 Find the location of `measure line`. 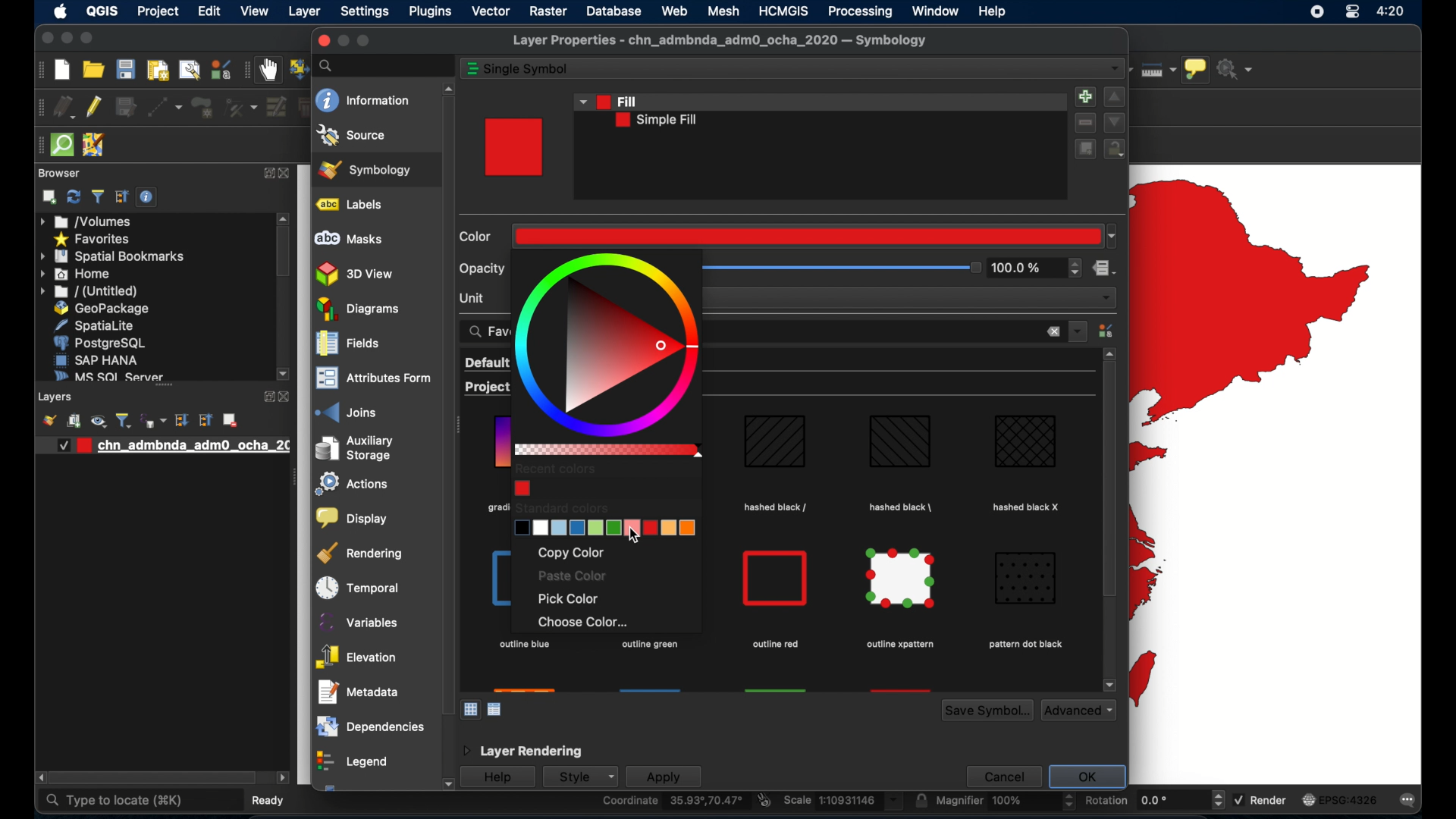

measure line is located at coordinates (1157, 69).